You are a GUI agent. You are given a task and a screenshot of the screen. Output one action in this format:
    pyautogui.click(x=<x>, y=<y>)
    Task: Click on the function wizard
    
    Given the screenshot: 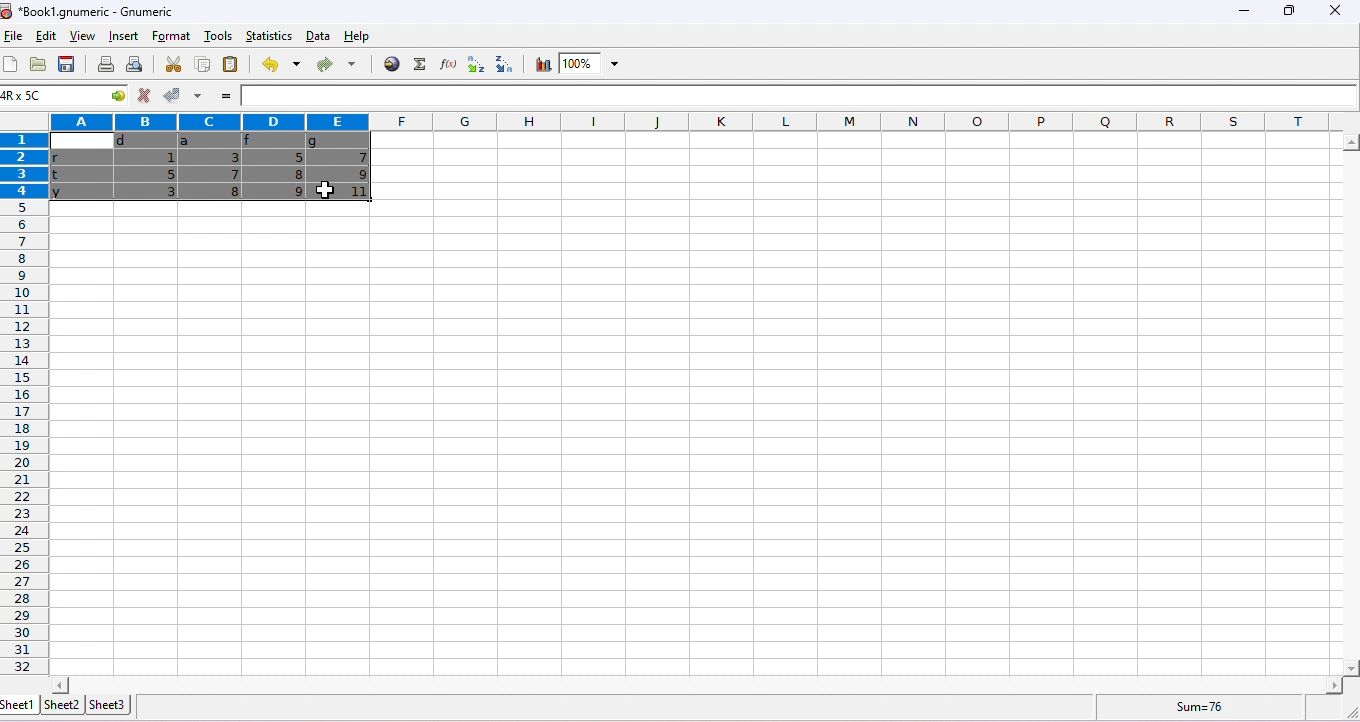 What is the action you would take?
    pyautogui.click(x=445, y=64)
    